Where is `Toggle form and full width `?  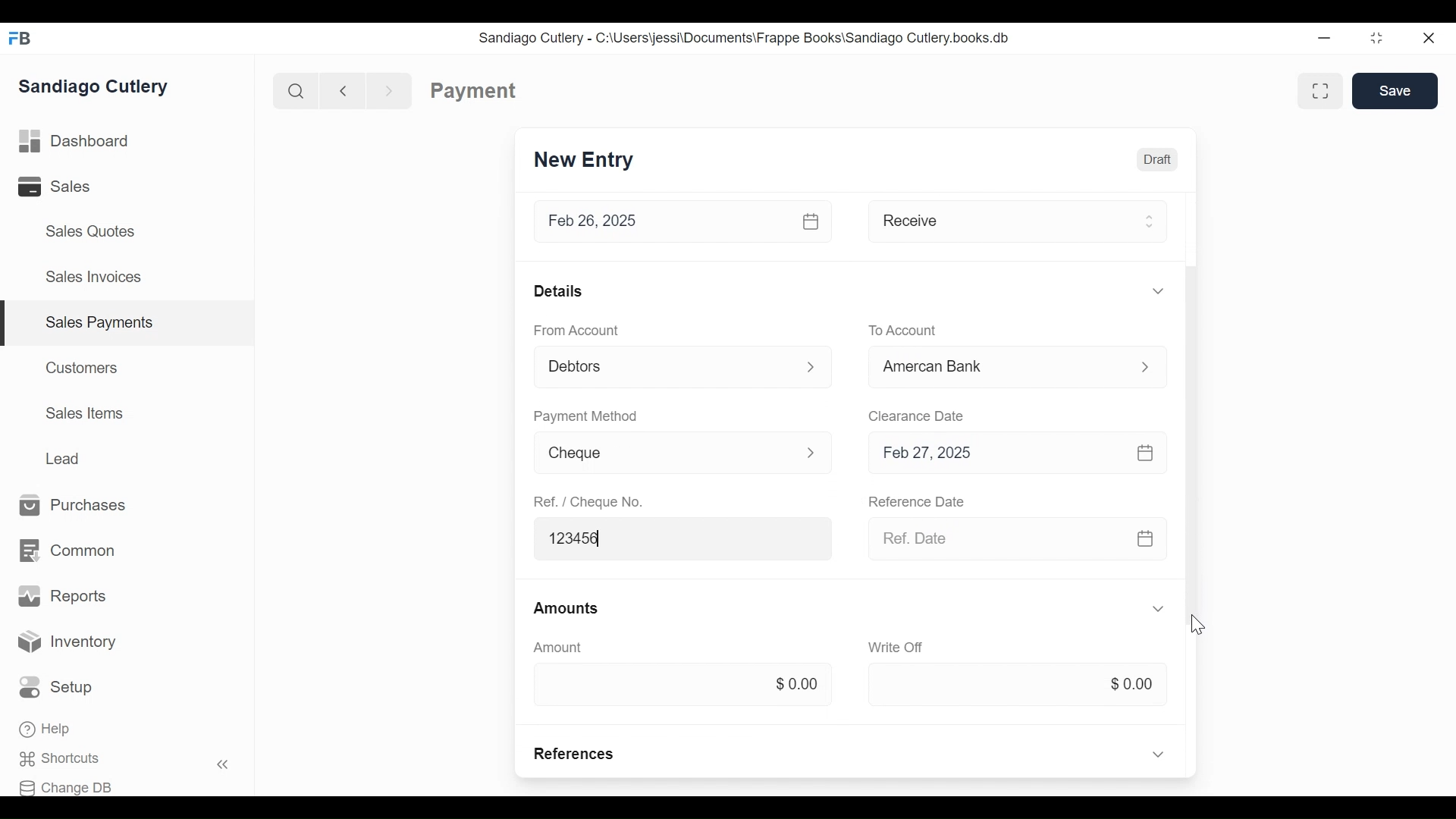
Toggle form and full width  is located at coordinates (1326, 88).